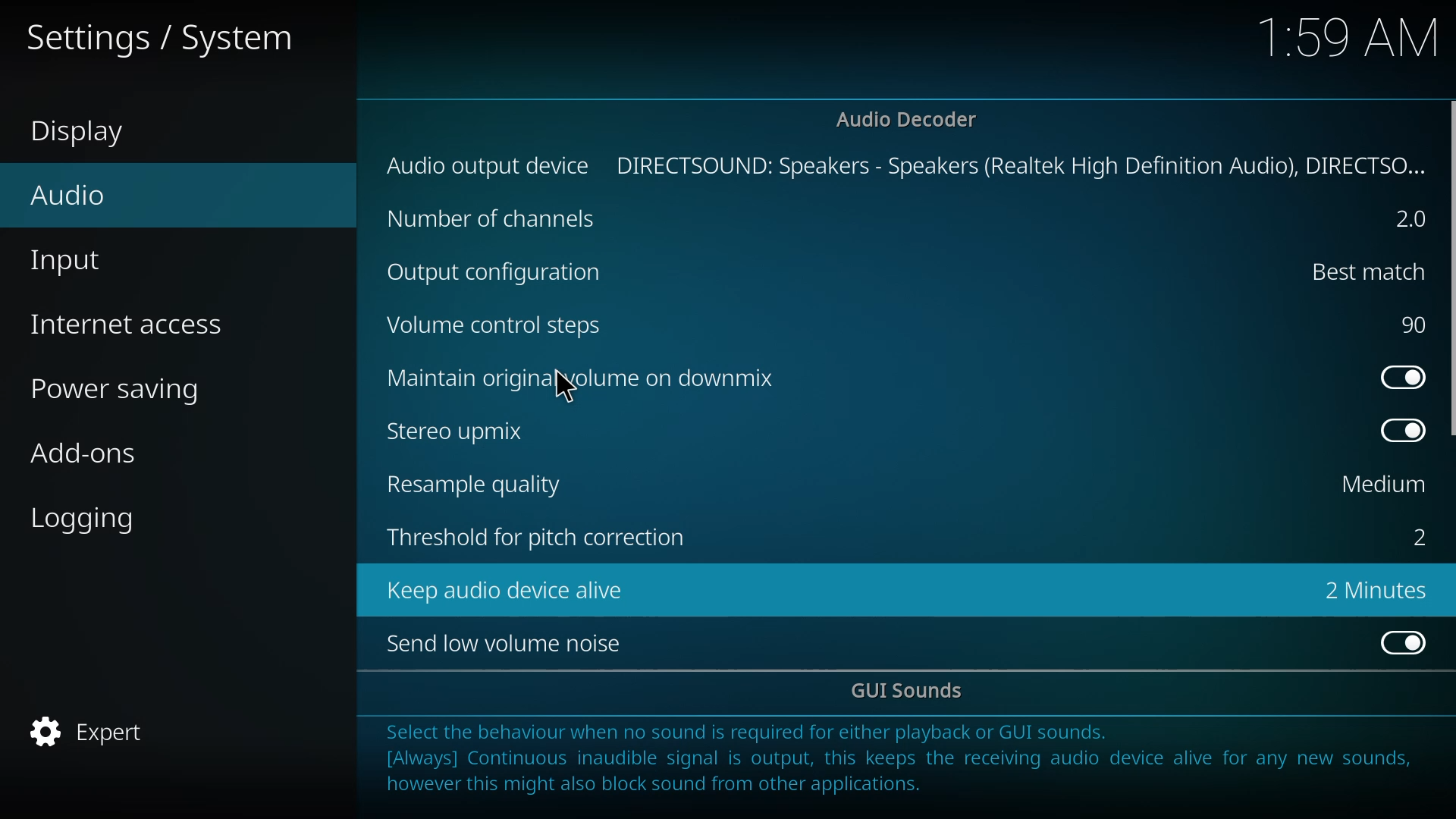  I want to click on audio decoder, so click(907, 119).